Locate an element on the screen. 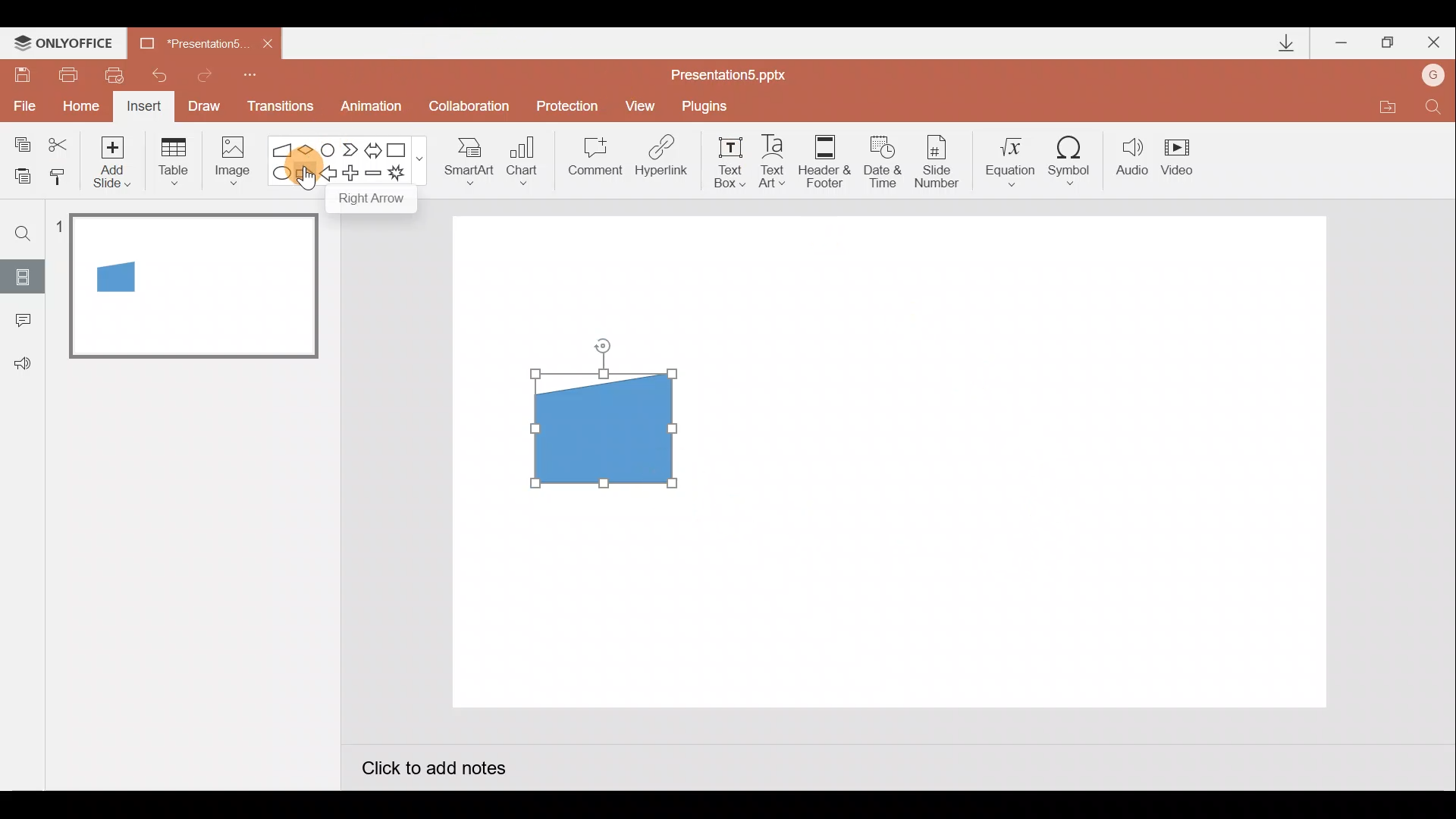 This screenshot has height=819, width=1456. Chevron is located at coordinates (352, 150).